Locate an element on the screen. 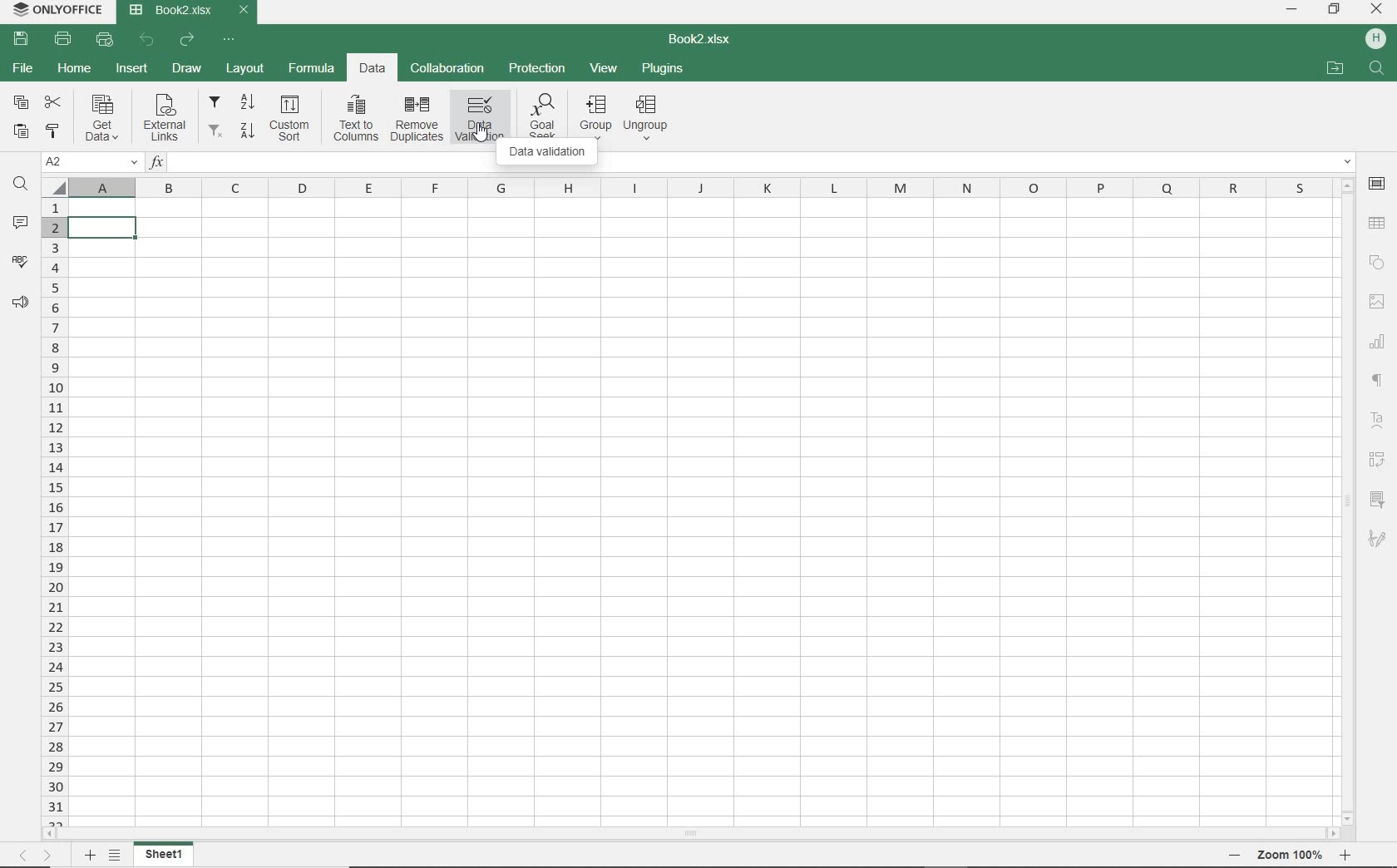 The height and width of the screenshot is (868, 1397). FIND is located at coordinates (19, 185).